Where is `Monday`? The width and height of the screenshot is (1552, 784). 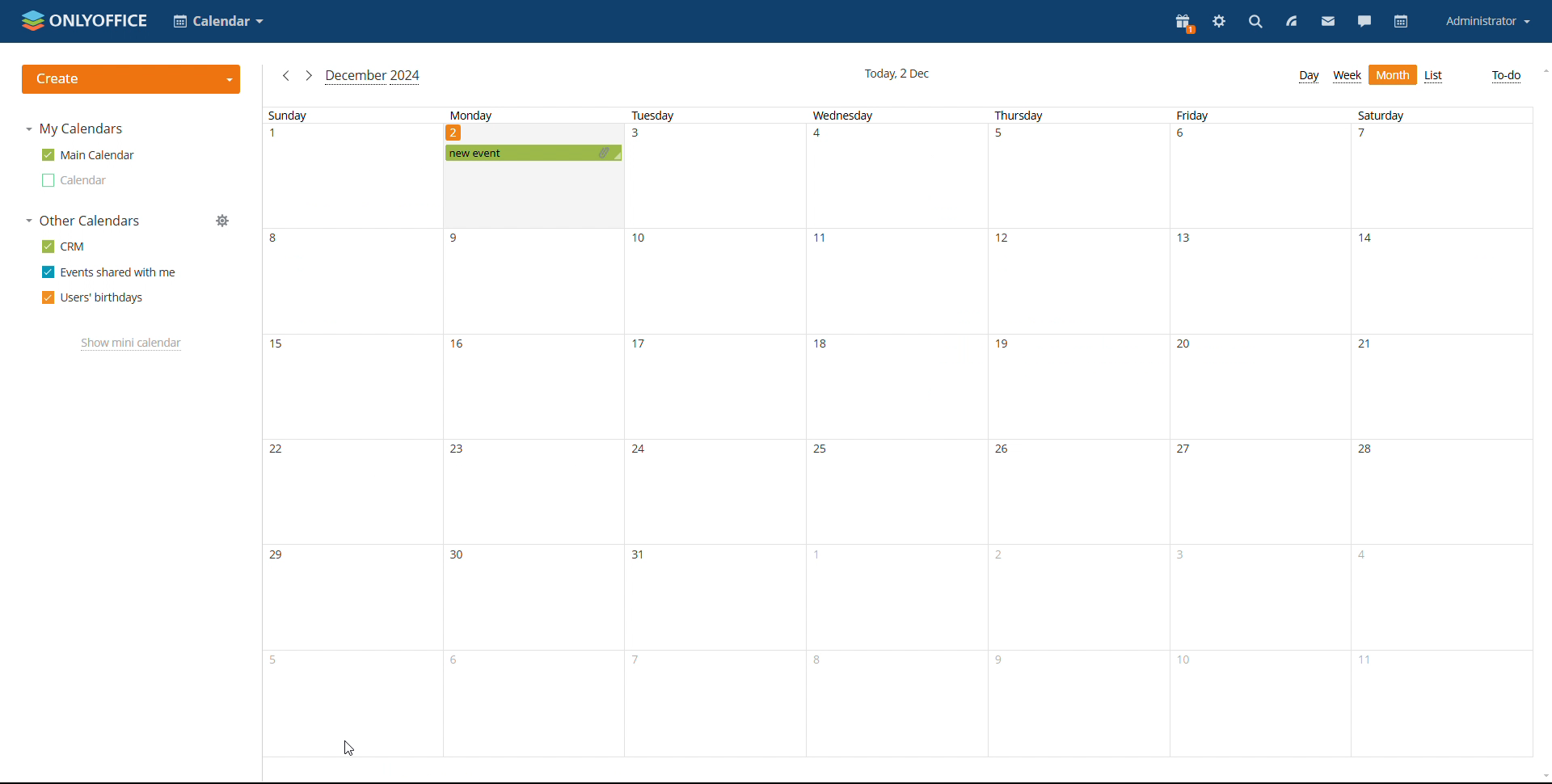 Monday is located at coordinates (514, 431).